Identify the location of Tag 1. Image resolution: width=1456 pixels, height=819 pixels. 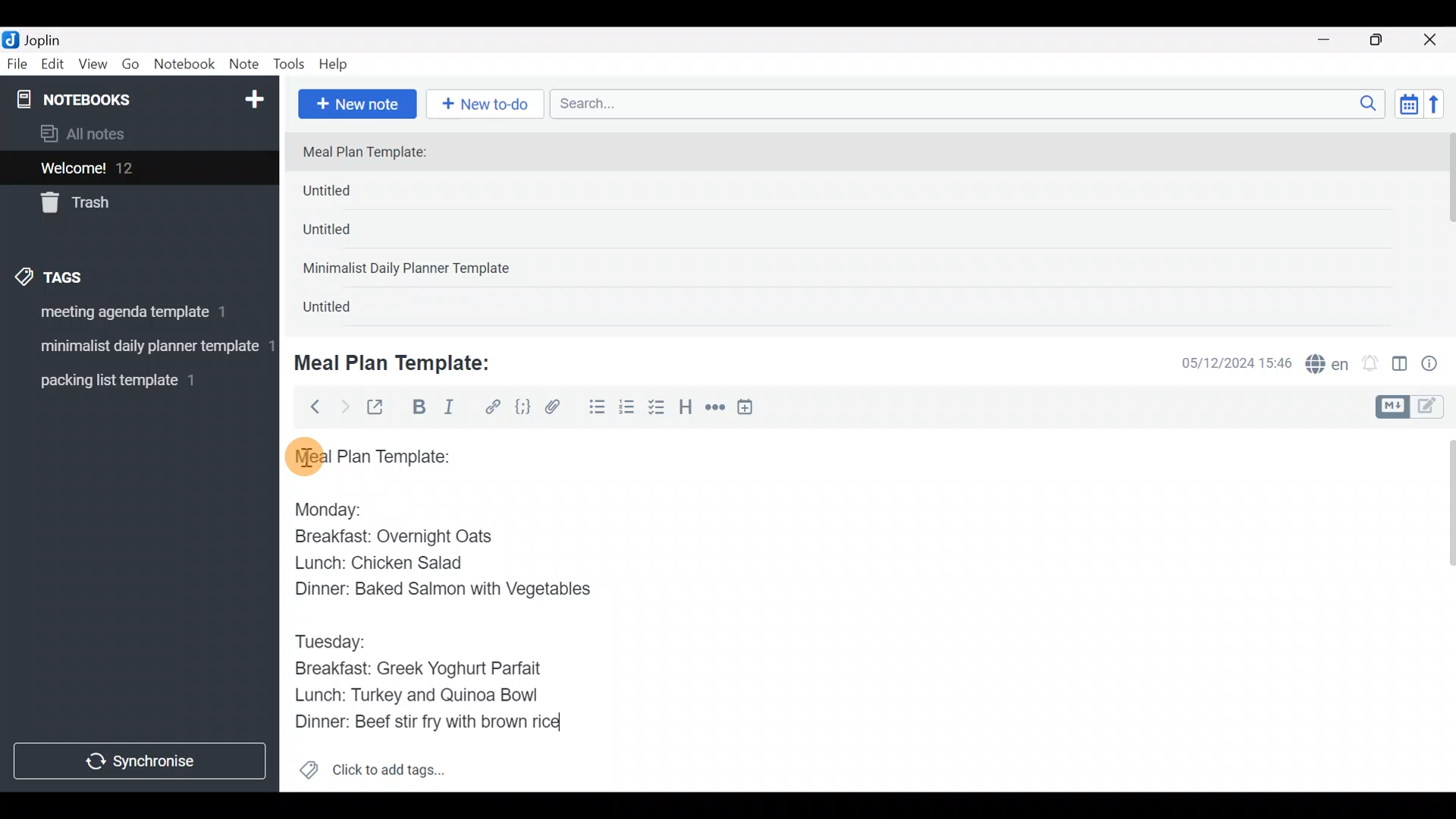
(135, 316).